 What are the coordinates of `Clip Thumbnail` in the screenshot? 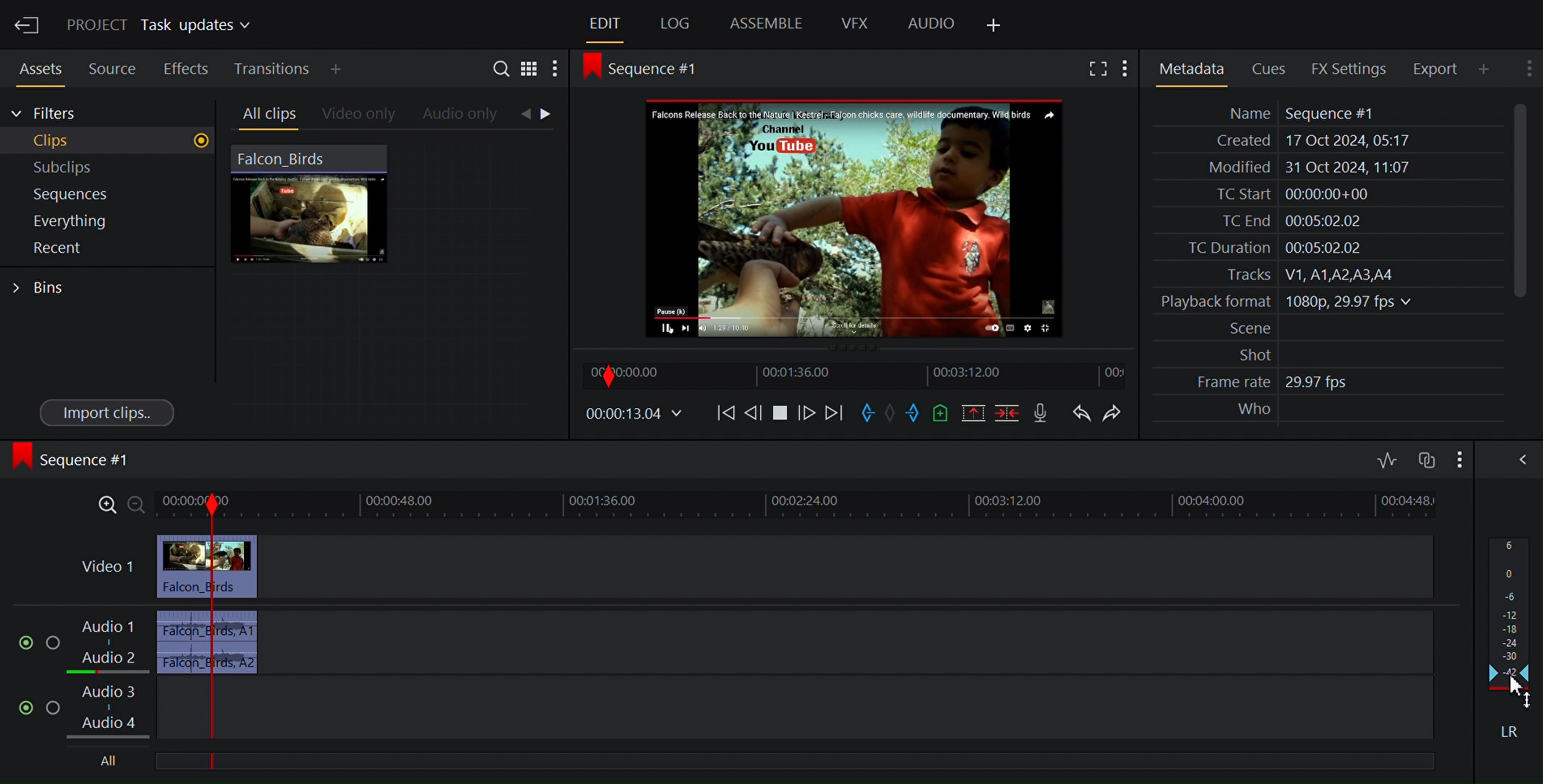 It's located at (395, 283).